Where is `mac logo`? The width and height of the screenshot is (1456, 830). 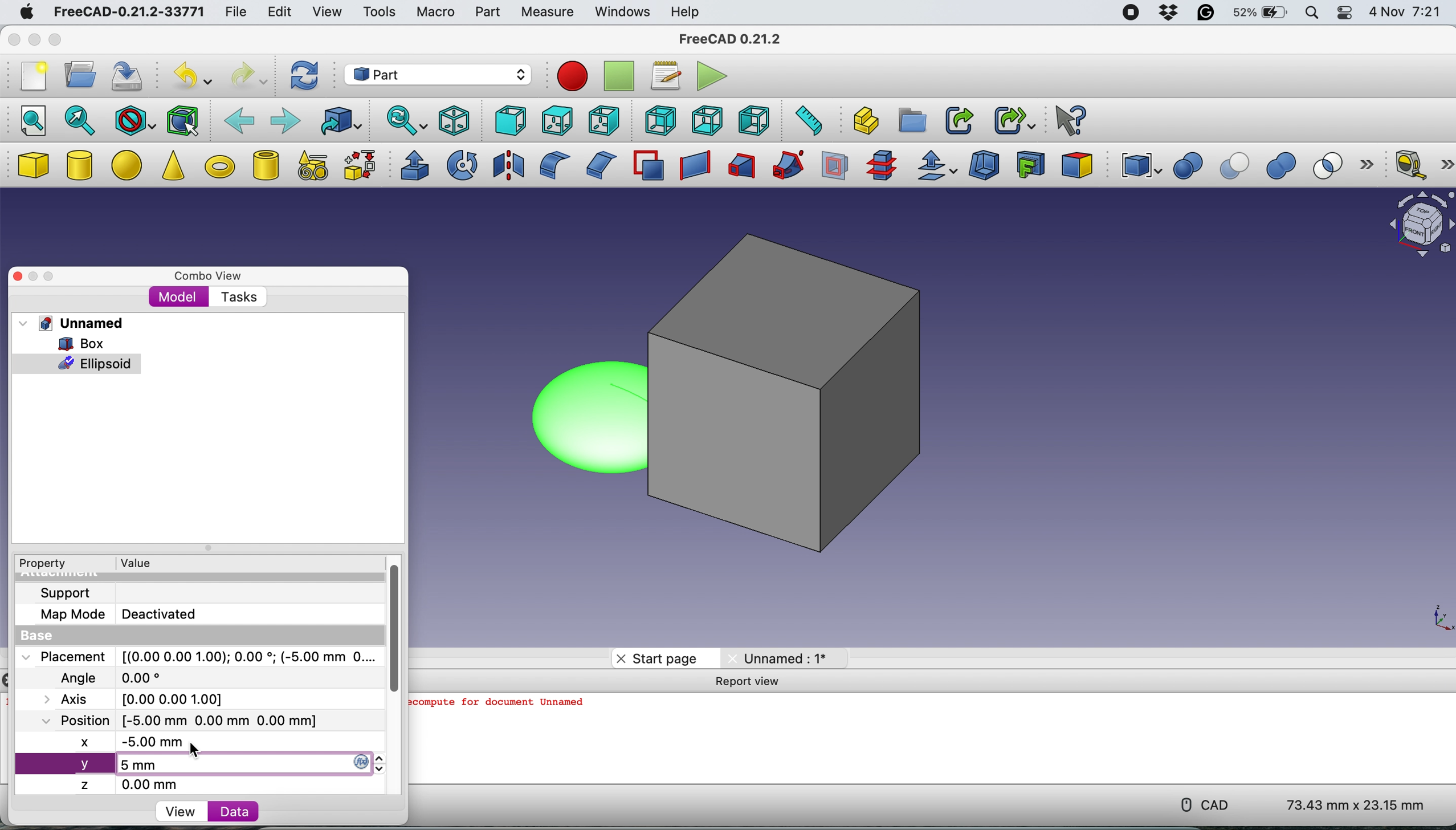
mac logo is located at coordinates (24, 13).